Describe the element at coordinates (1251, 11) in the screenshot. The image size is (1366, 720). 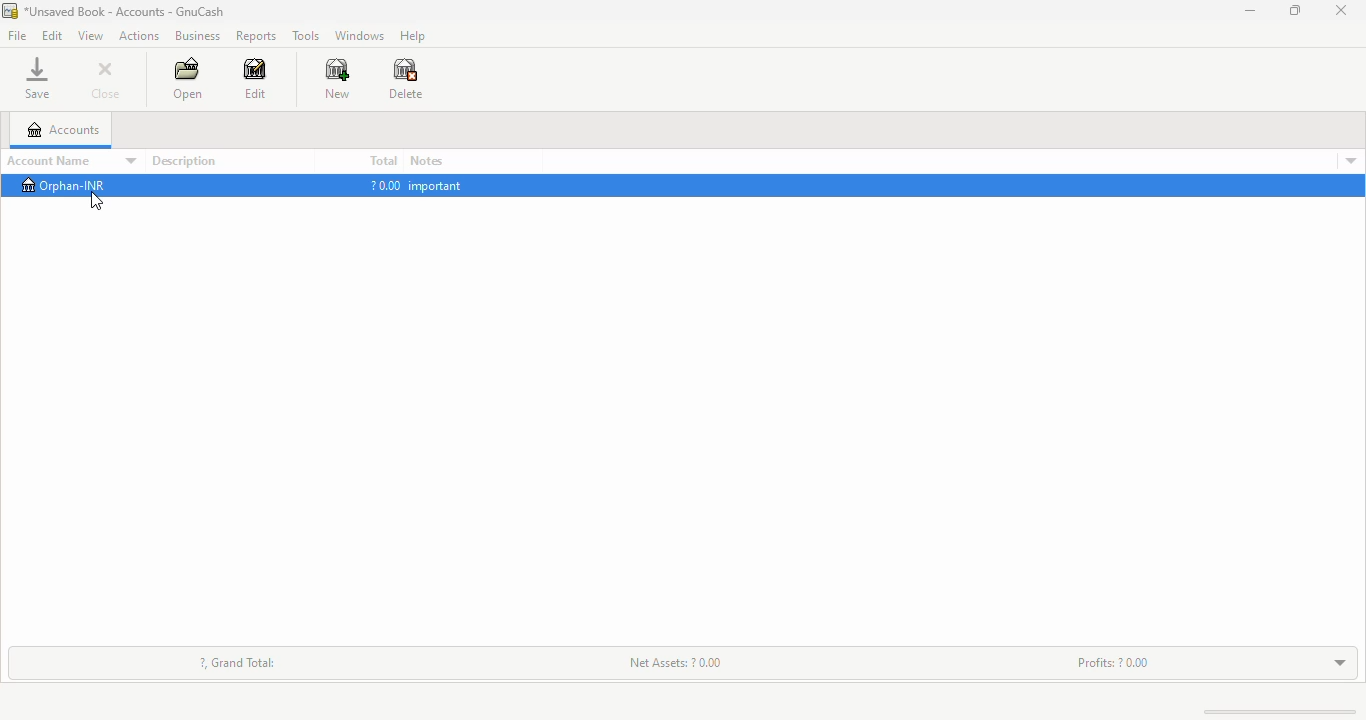
I see `minimize` at that location.